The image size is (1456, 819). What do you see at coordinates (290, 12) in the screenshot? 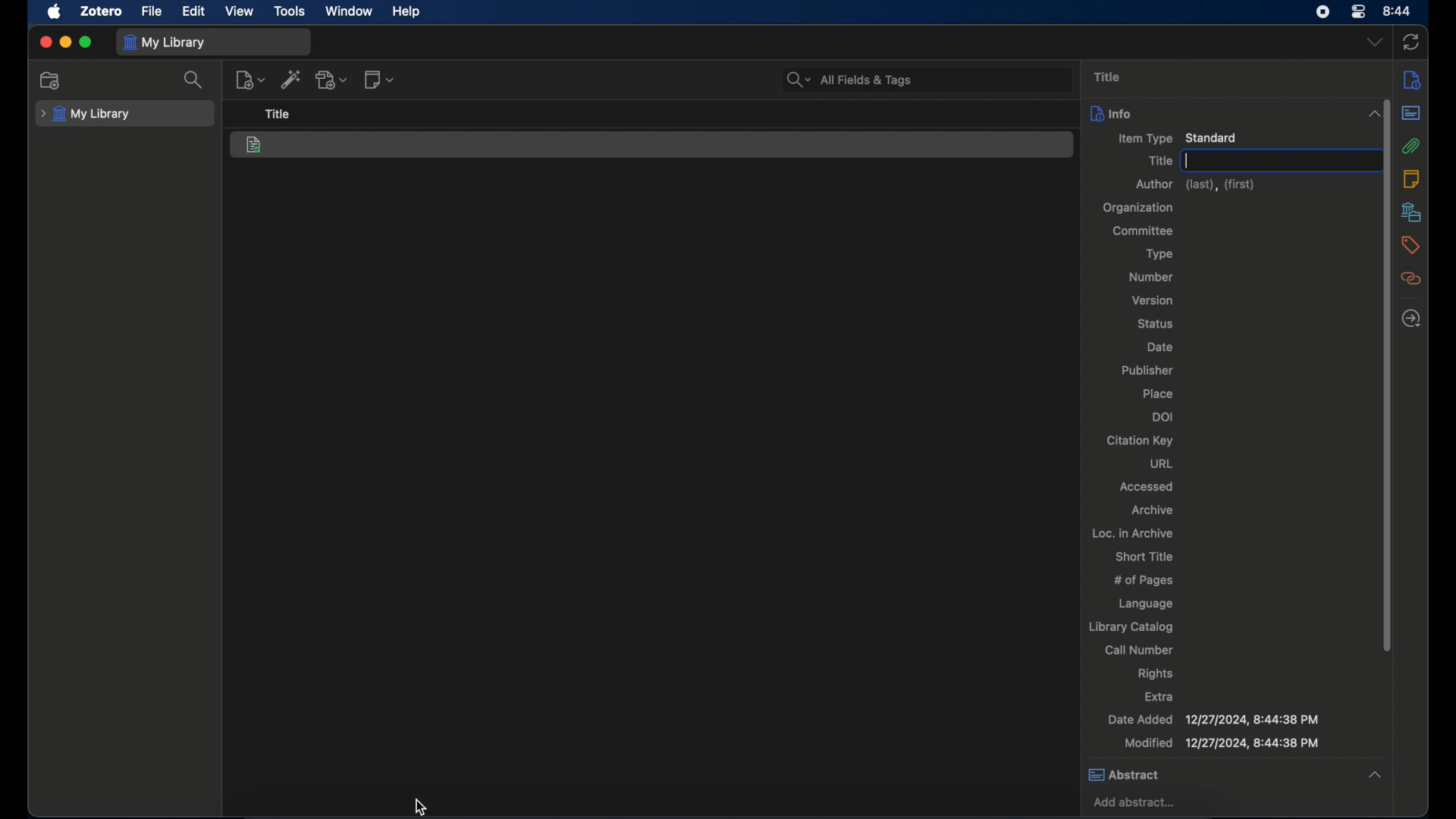
I see `tools` at bounding box center [290, 12].